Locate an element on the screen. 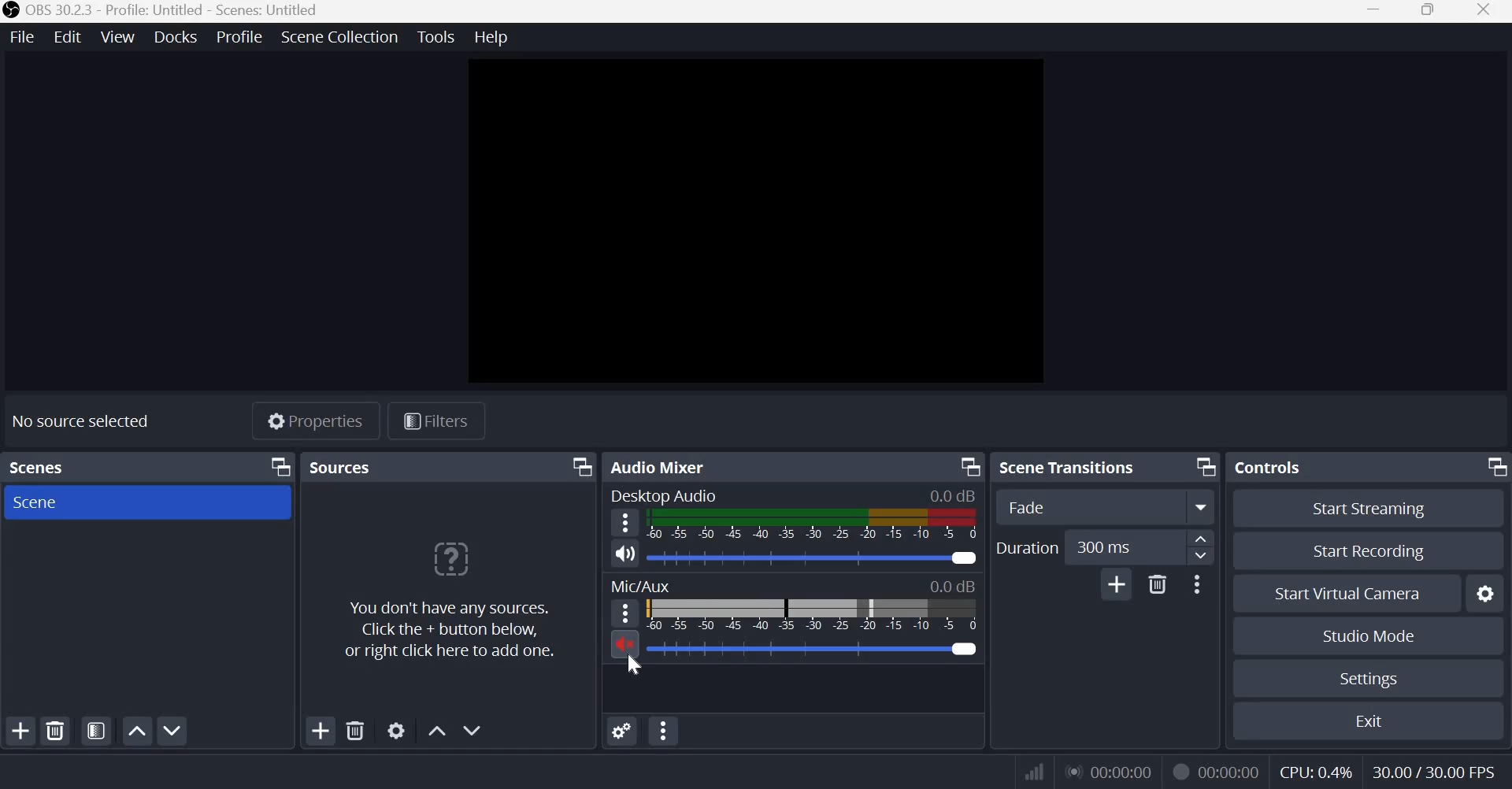 The image size is (1512, 789). Audio Slider is located at coordinates (813, 560).